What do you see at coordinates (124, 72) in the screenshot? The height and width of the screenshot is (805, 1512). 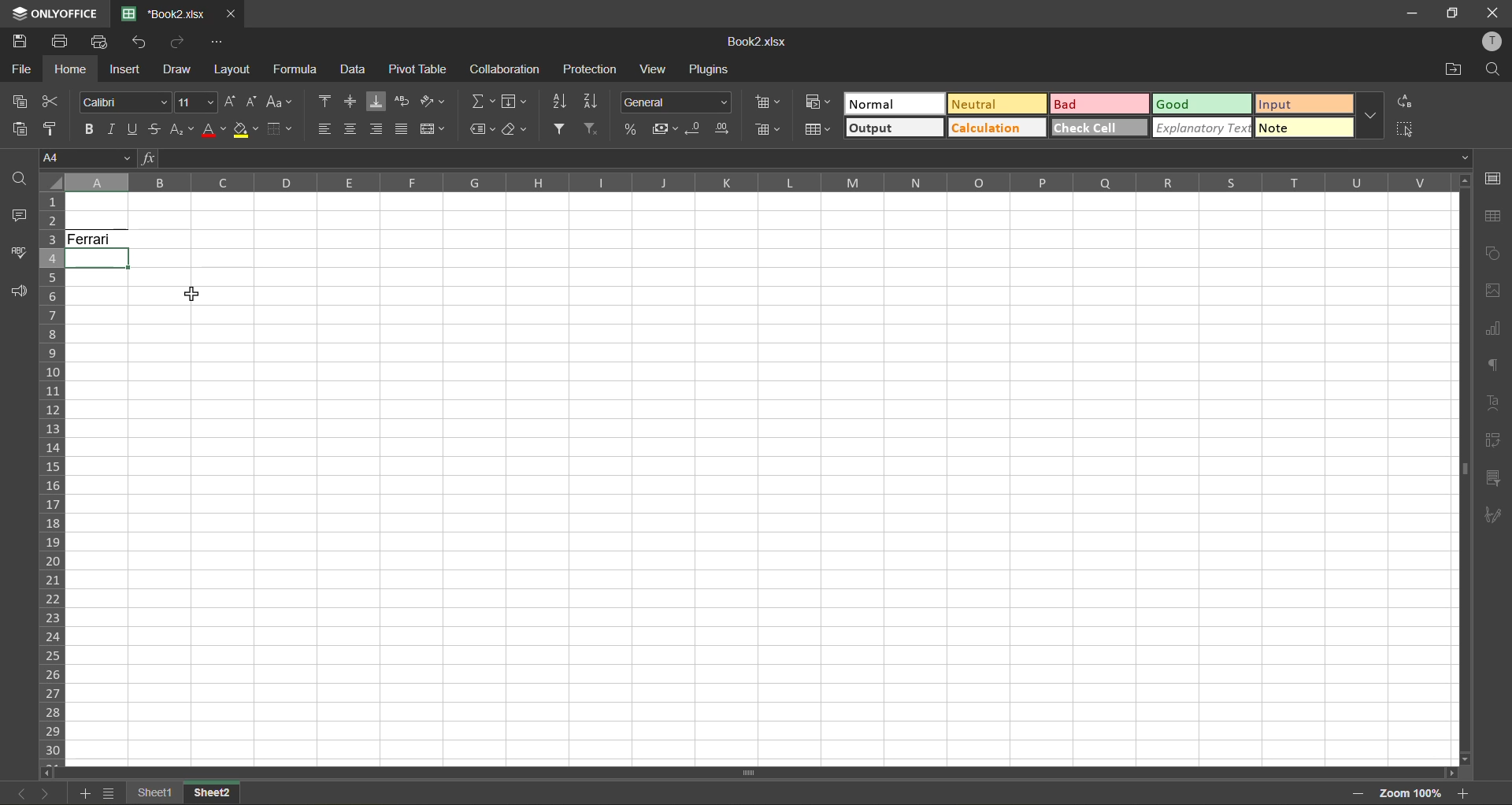 I see `insert` at bounding box center [124, 72].